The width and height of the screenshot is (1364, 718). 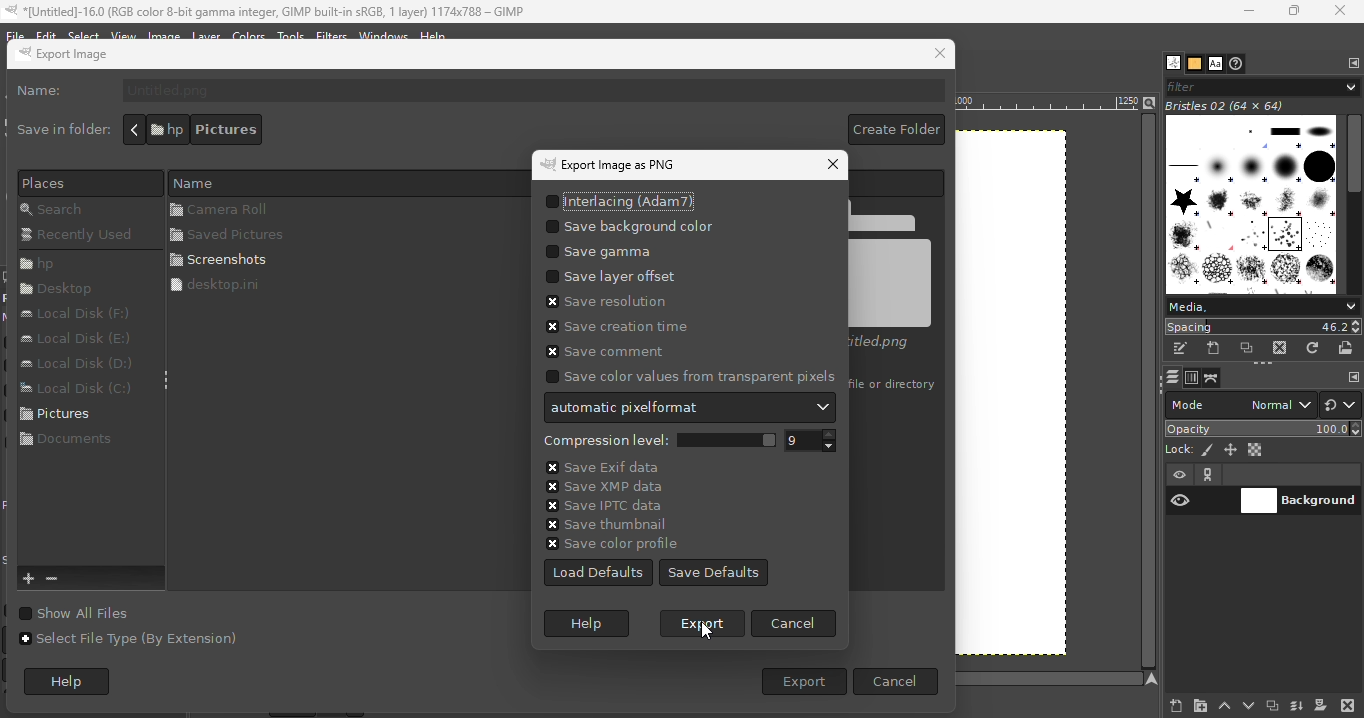 I want to click on Layer, so click(x=211, y=37).